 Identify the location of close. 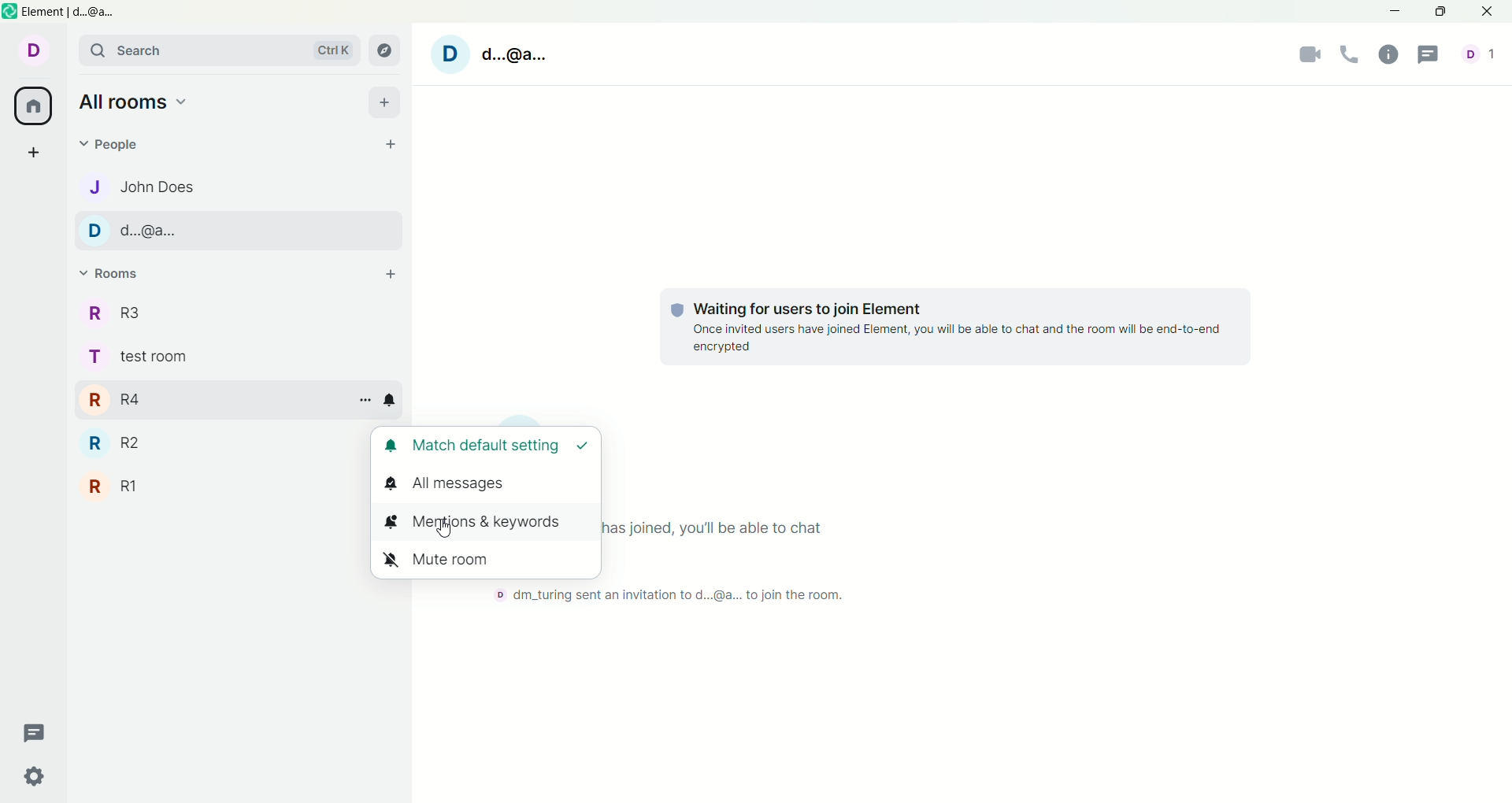
(1487, 12).